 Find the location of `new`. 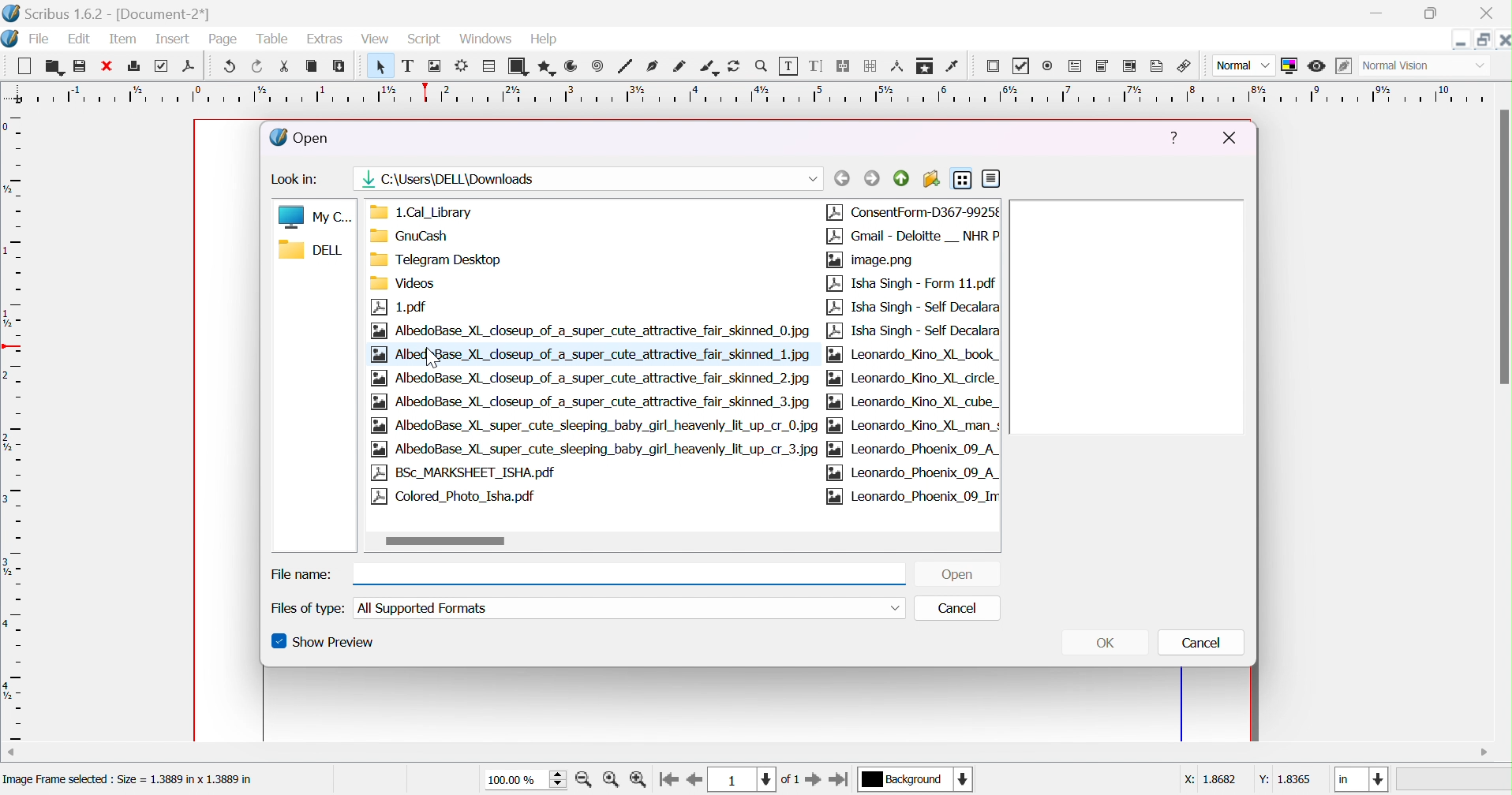

new is located at coordinates (22, 64).